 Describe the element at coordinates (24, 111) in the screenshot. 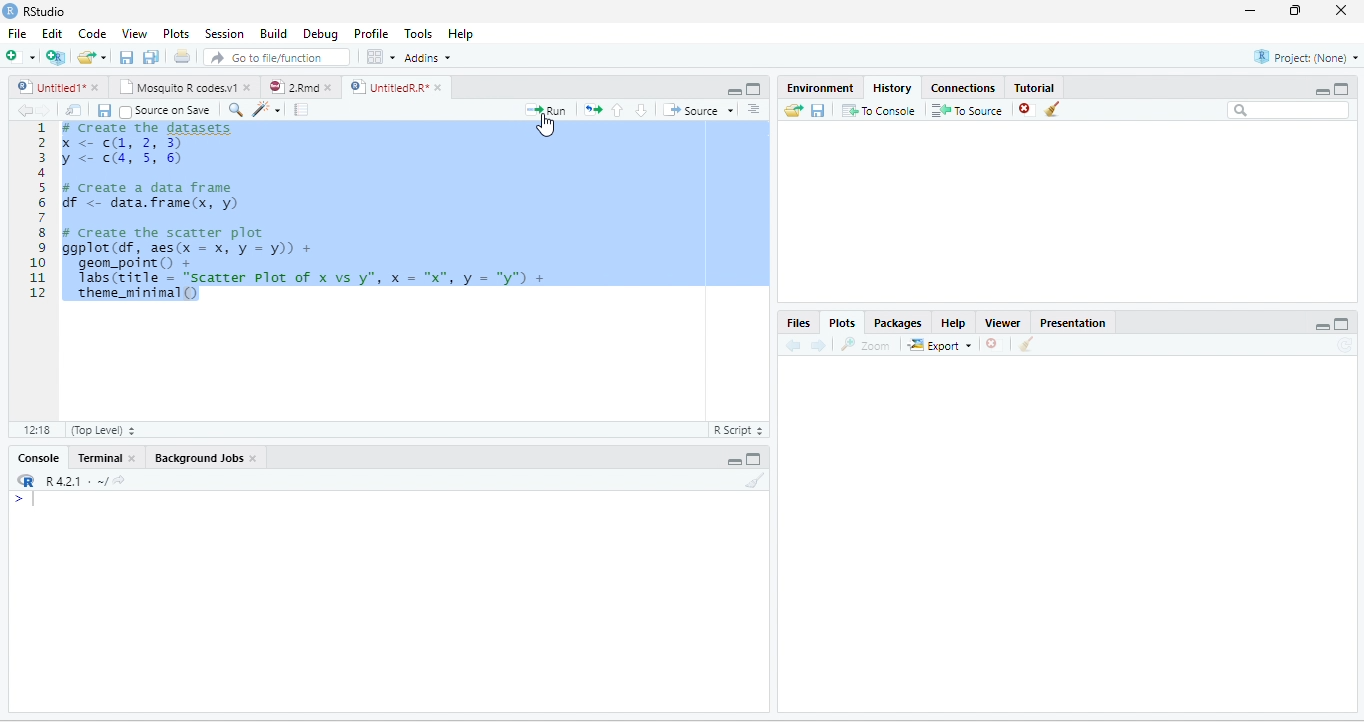

I see `Go back to previous source location` at that location.